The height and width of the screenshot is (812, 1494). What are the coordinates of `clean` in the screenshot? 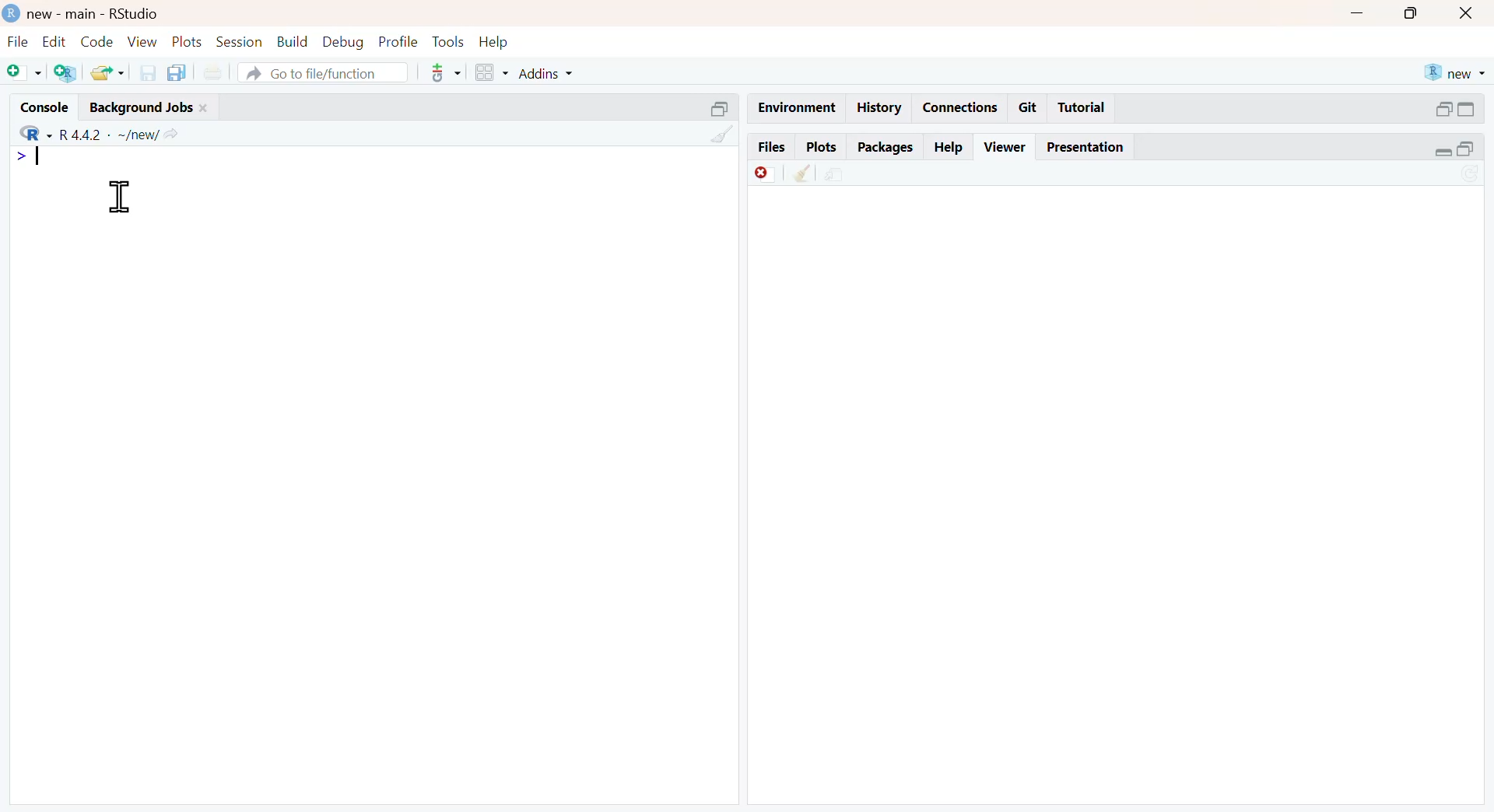 It's located at (725, 135).